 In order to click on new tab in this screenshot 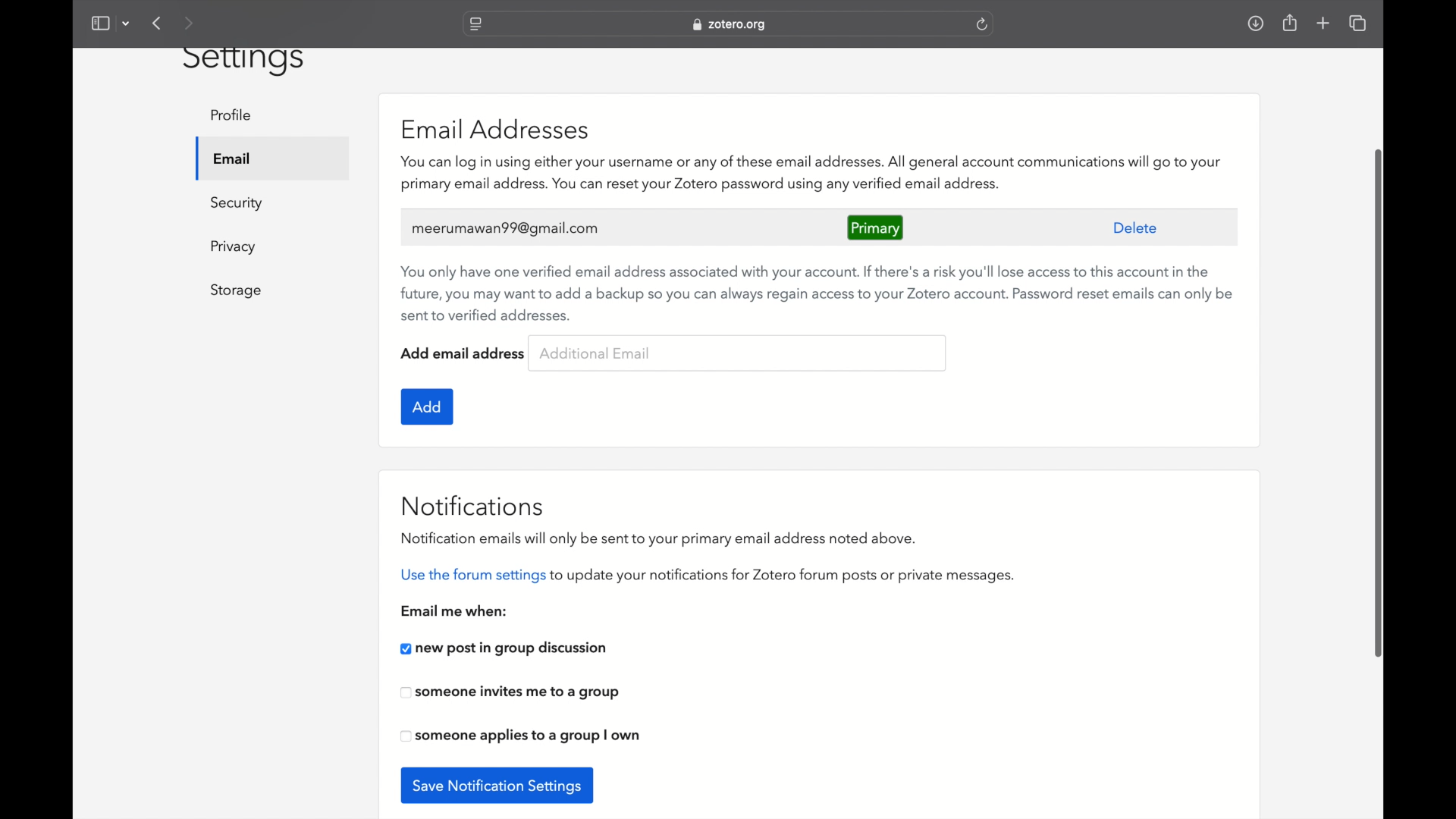, I will do `click(1323, 23)`.